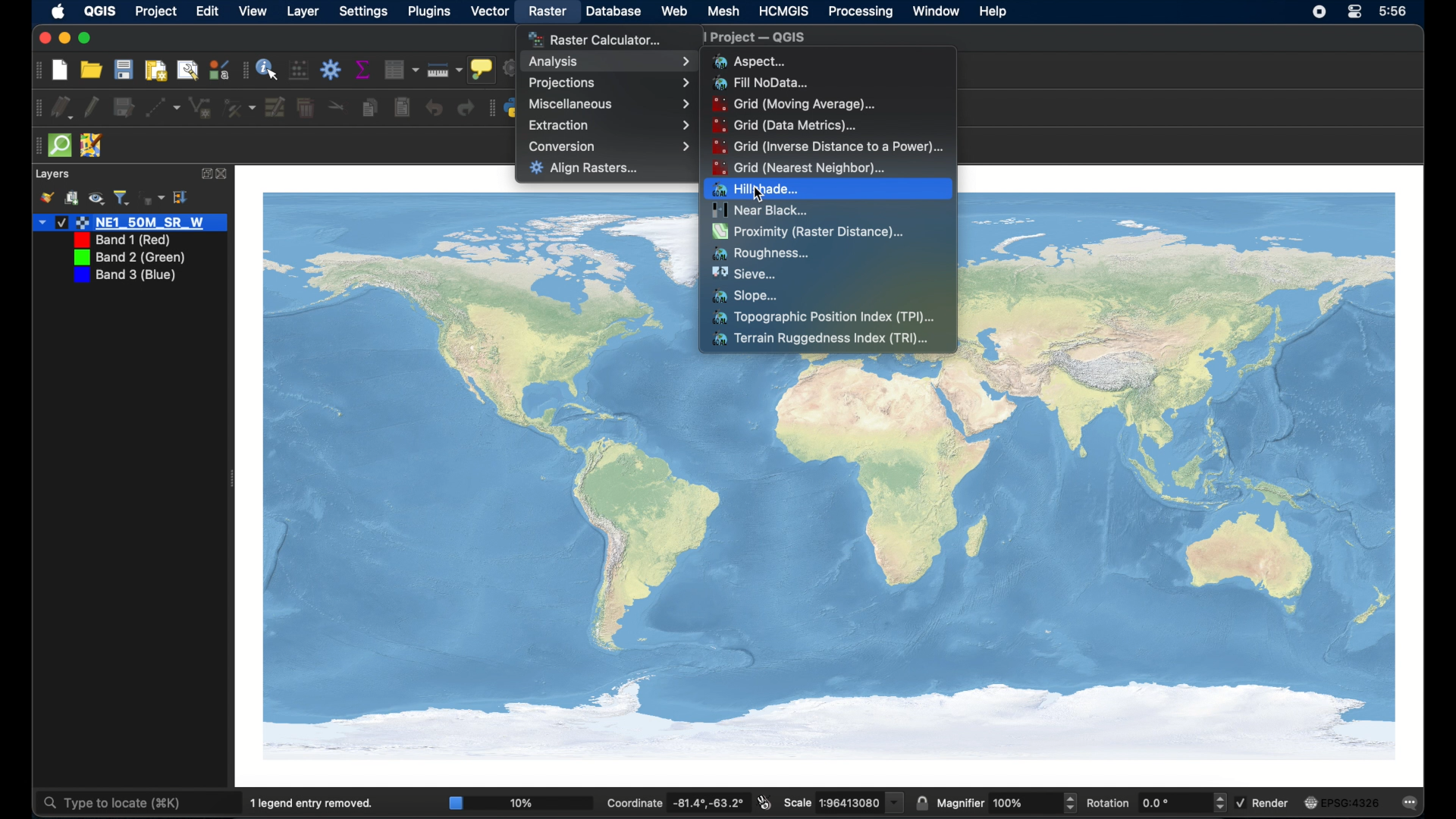  Describe the element at coordinates (155, 70) in the screenshot. I see `open print layout` at that location.